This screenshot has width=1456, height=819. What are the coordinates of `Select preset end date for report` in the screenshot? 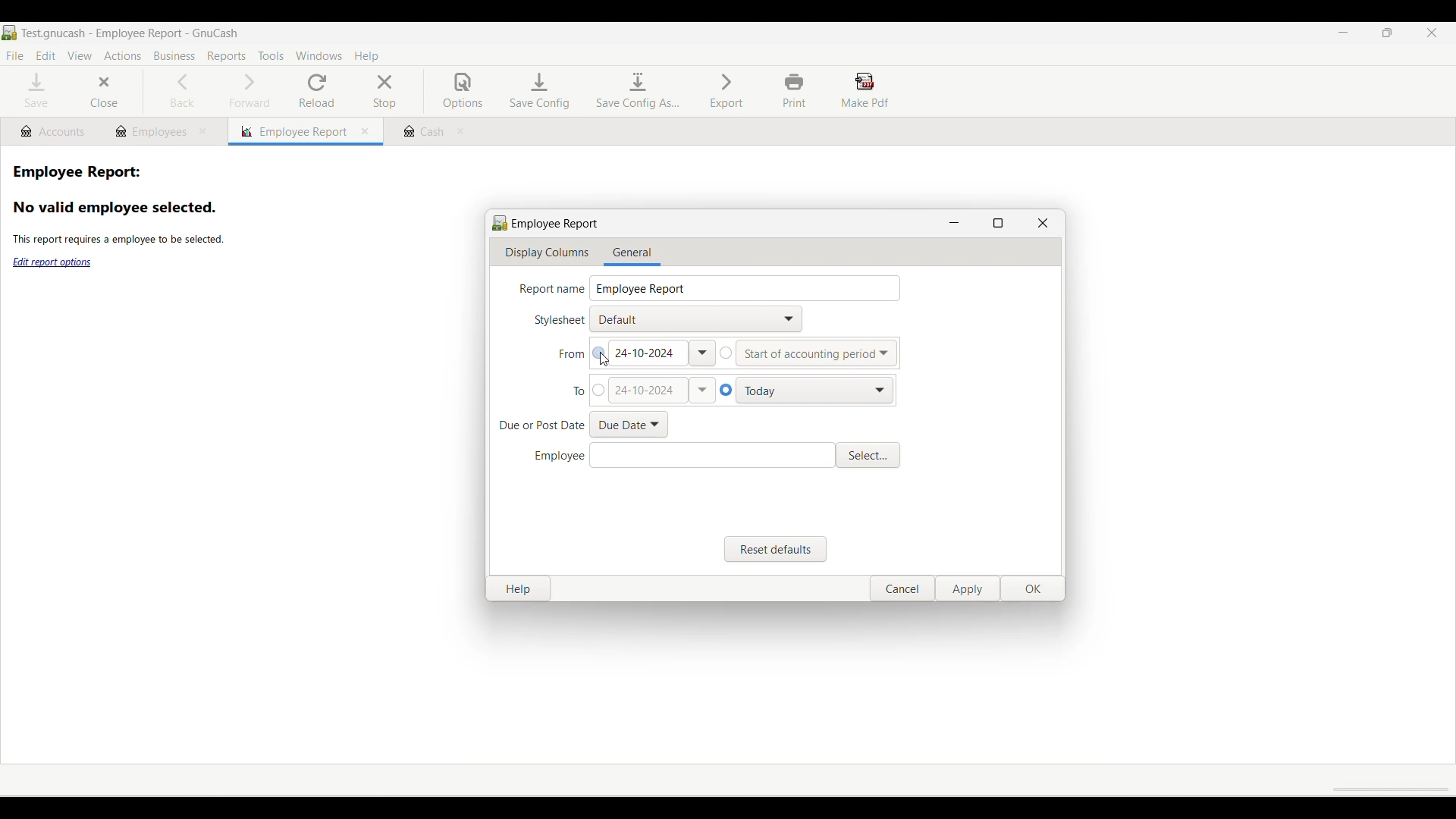 It's located at (726, 391).